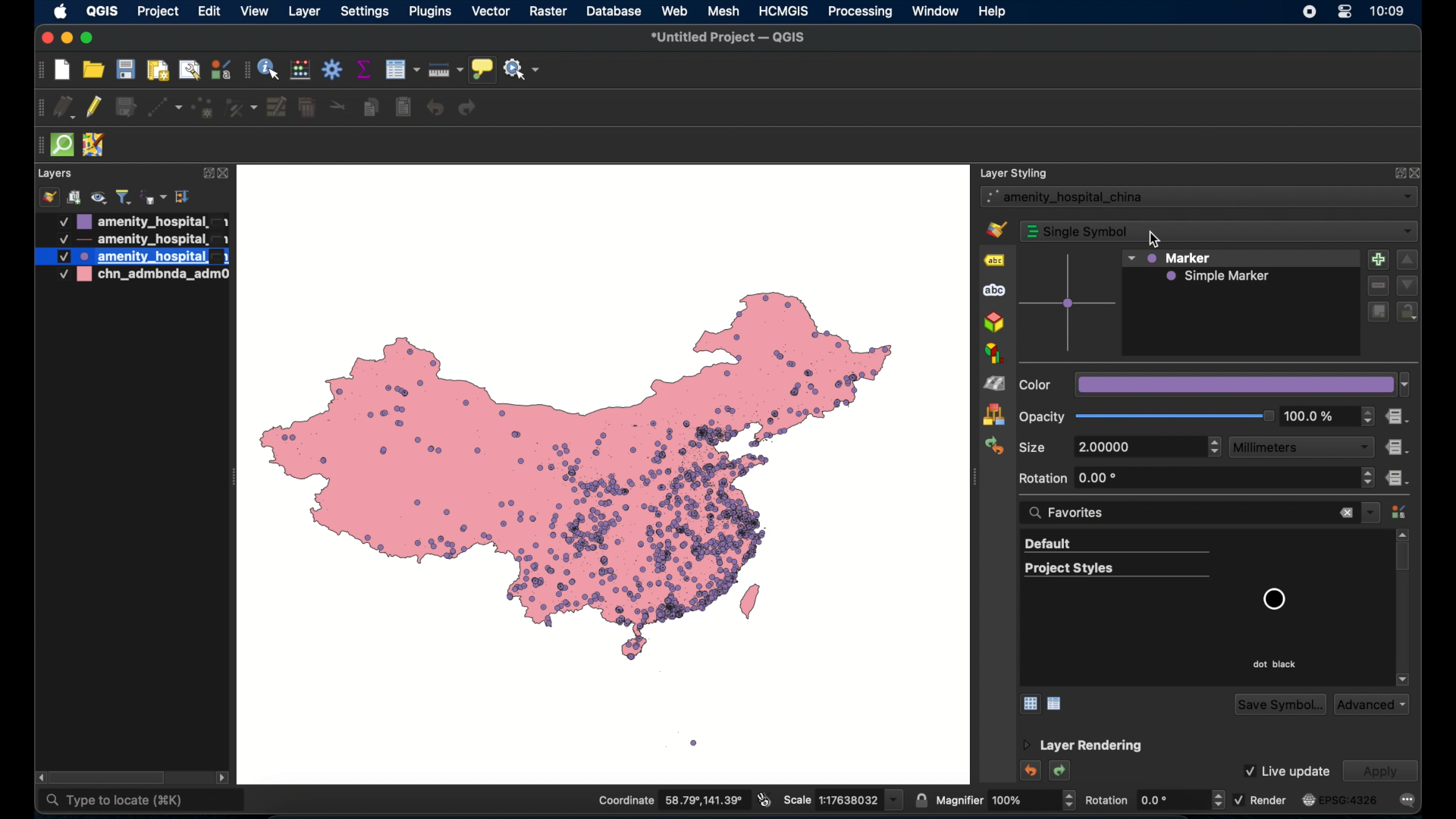 Image resolution: width=1456 pixels, height=819 pixels. Describe the element at coordinates (1148, 447) in the screenshot. I see `size stepper buttons` at that location.